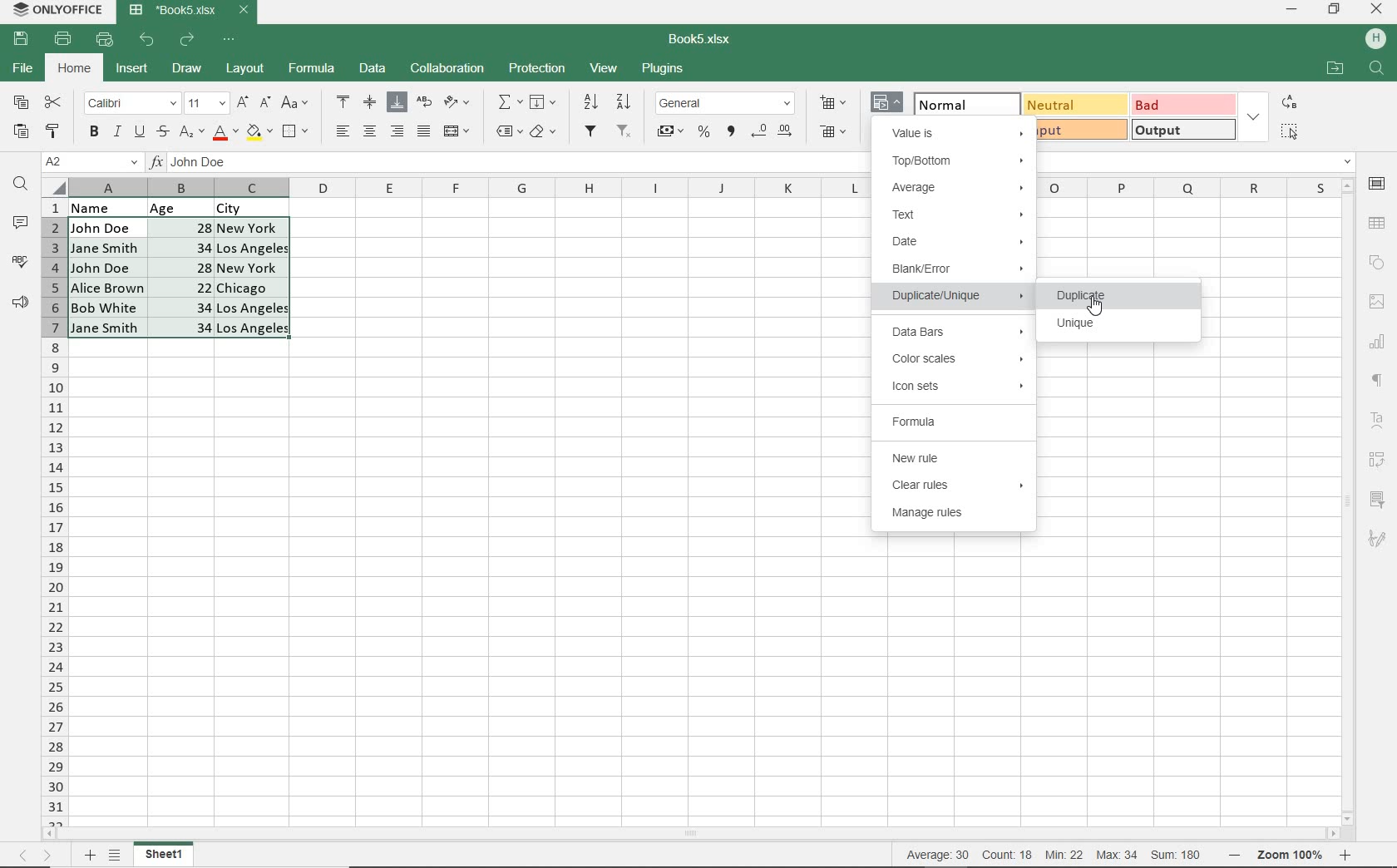 The width and height of the screenshot is (1397, 868). Describe the element at coordinates (1073, 104) in the screenshot. I see `NEUTRAL` at that location.